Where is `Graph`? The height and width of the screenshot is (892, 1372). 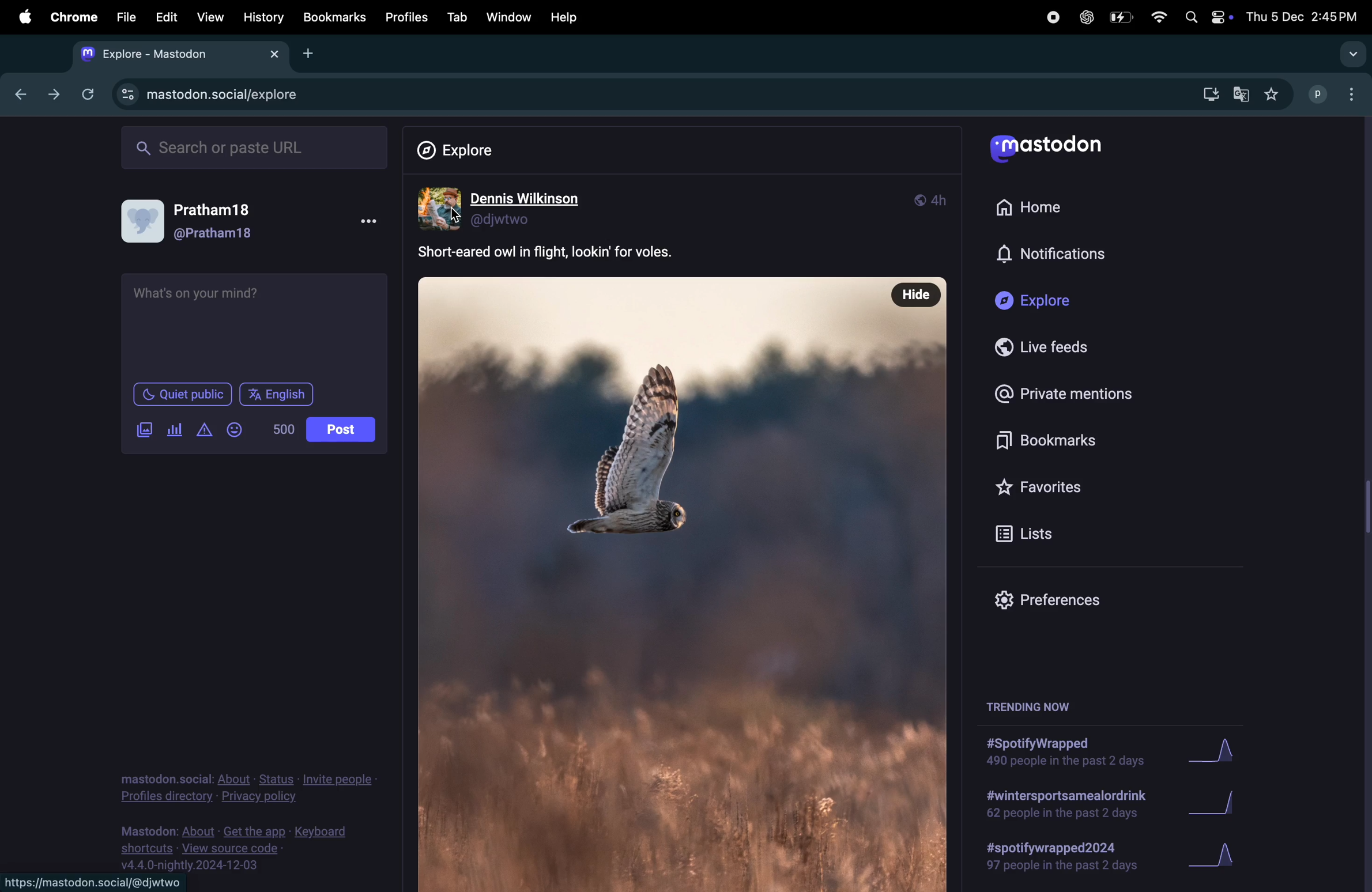
Graph is located at coordinates (1208, 751).